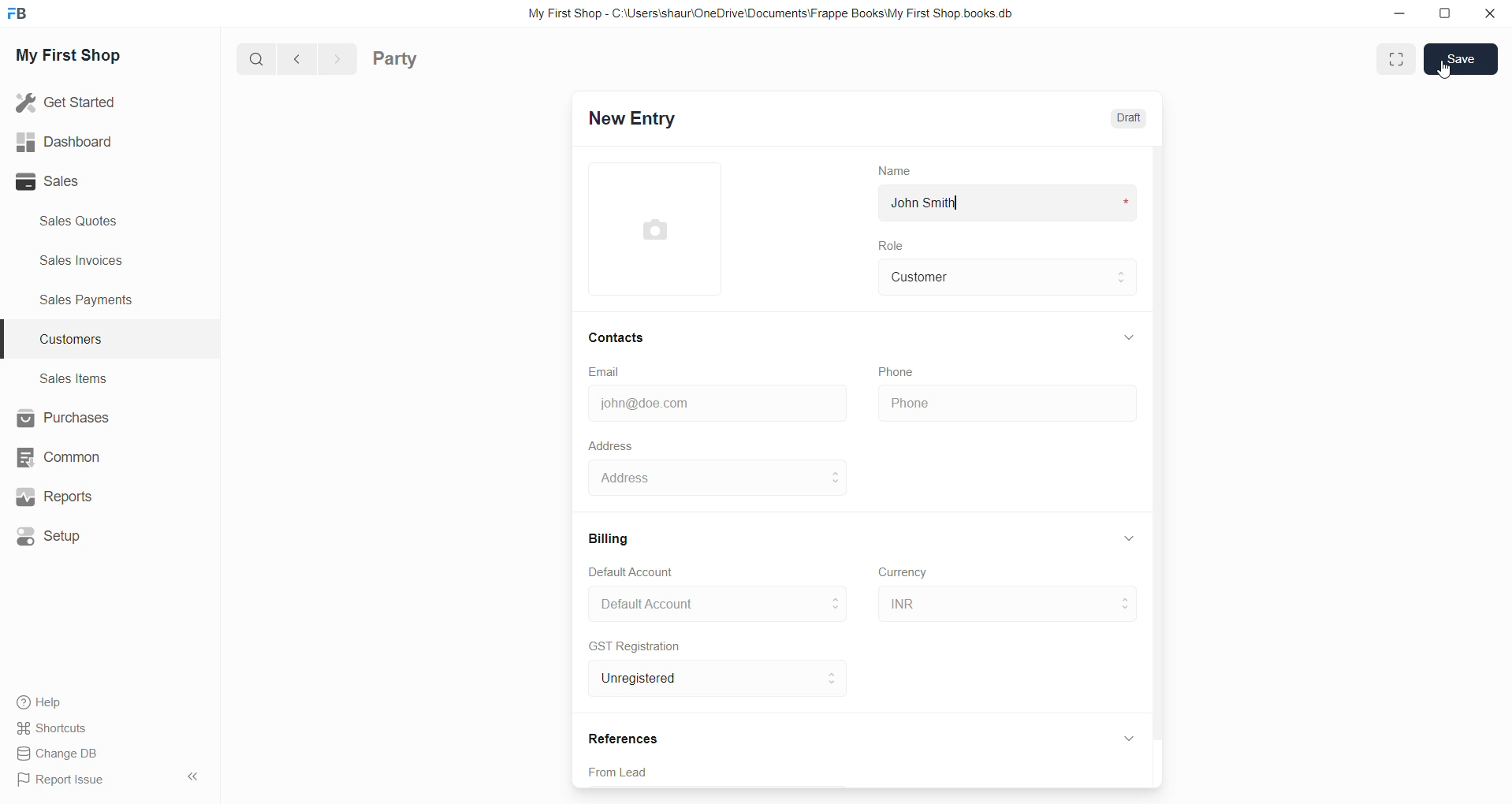 The image size is (1512, 804). Describe the element at coordinates (188, 778) in the screenshot. I see `hide sidebar` at that location.